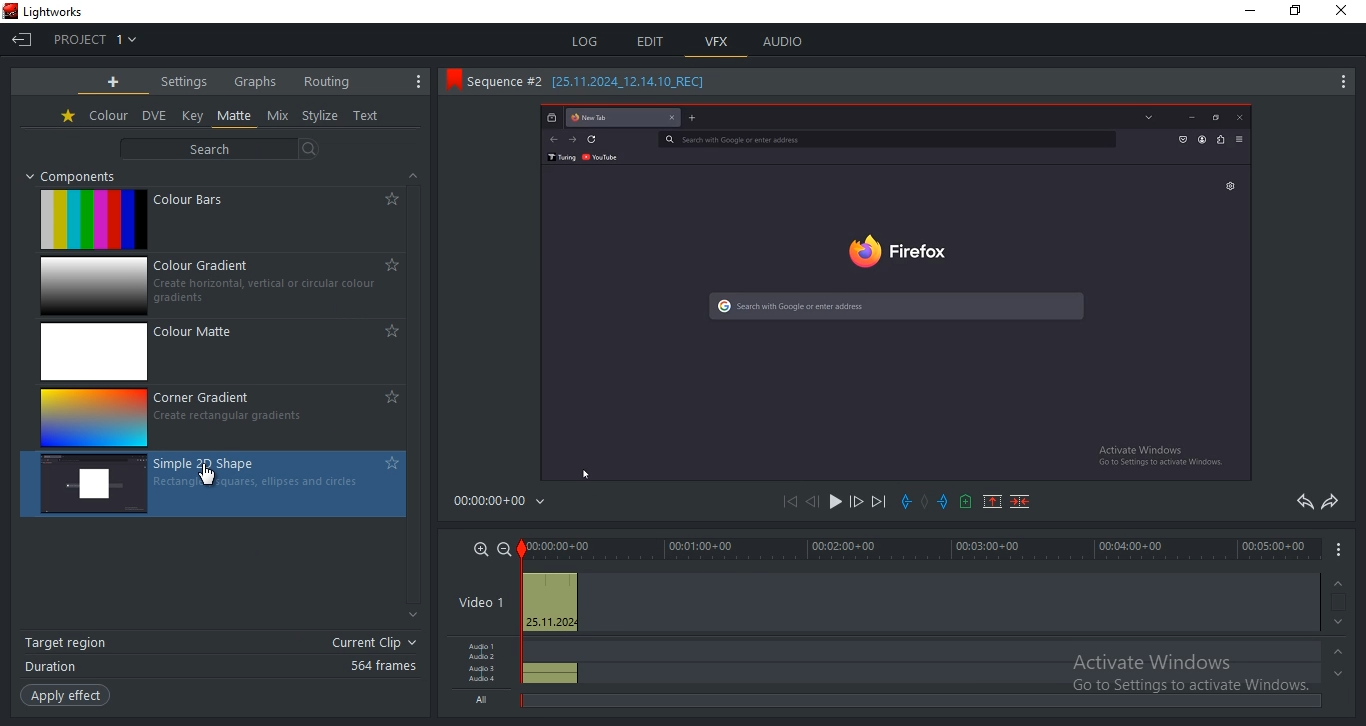 The height and width of the screenshot is (726, 1366). I want to click on close, so click(1346, 12).